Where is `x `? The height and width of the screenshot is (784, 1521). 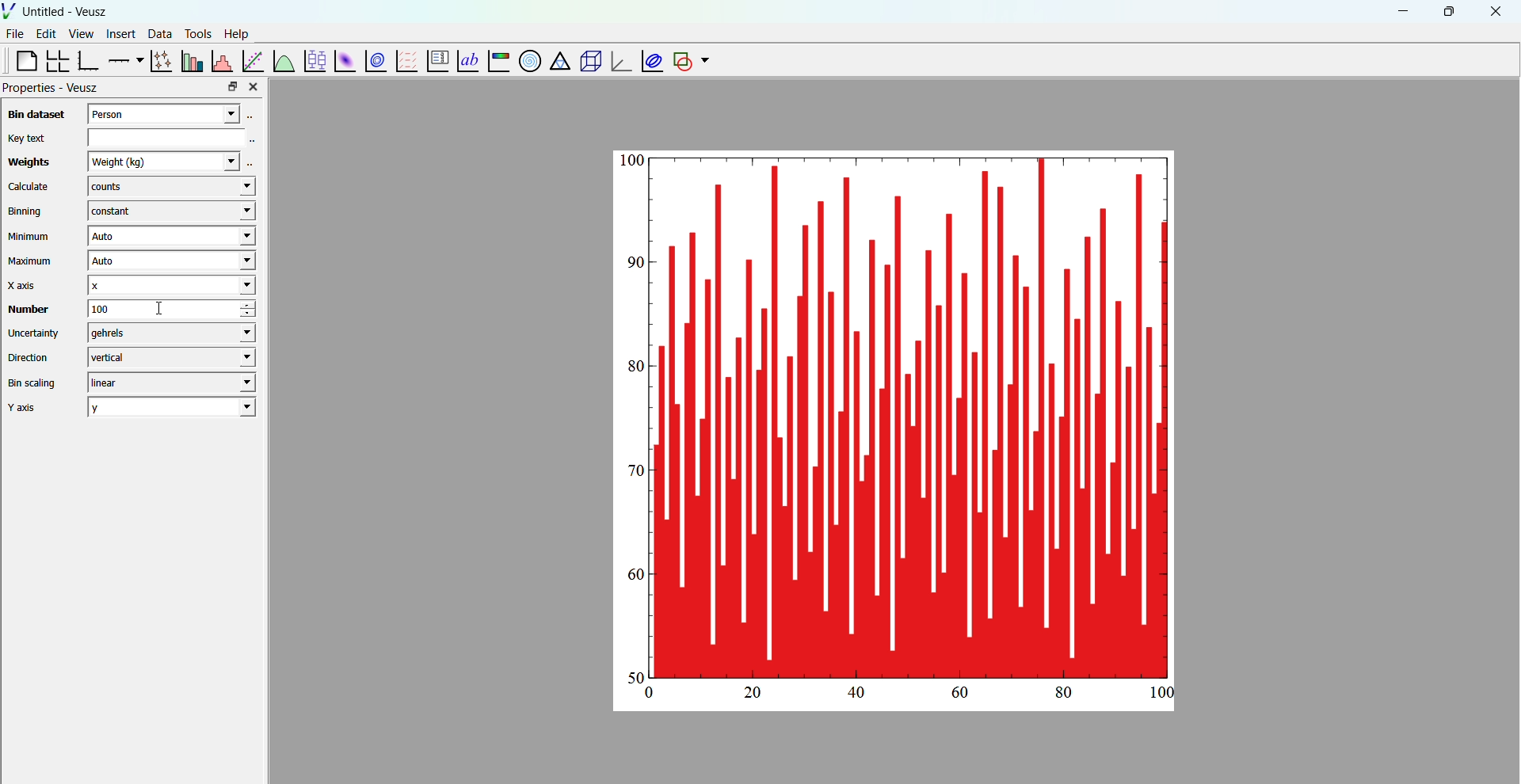 x  is located at coordinates (170, 285).